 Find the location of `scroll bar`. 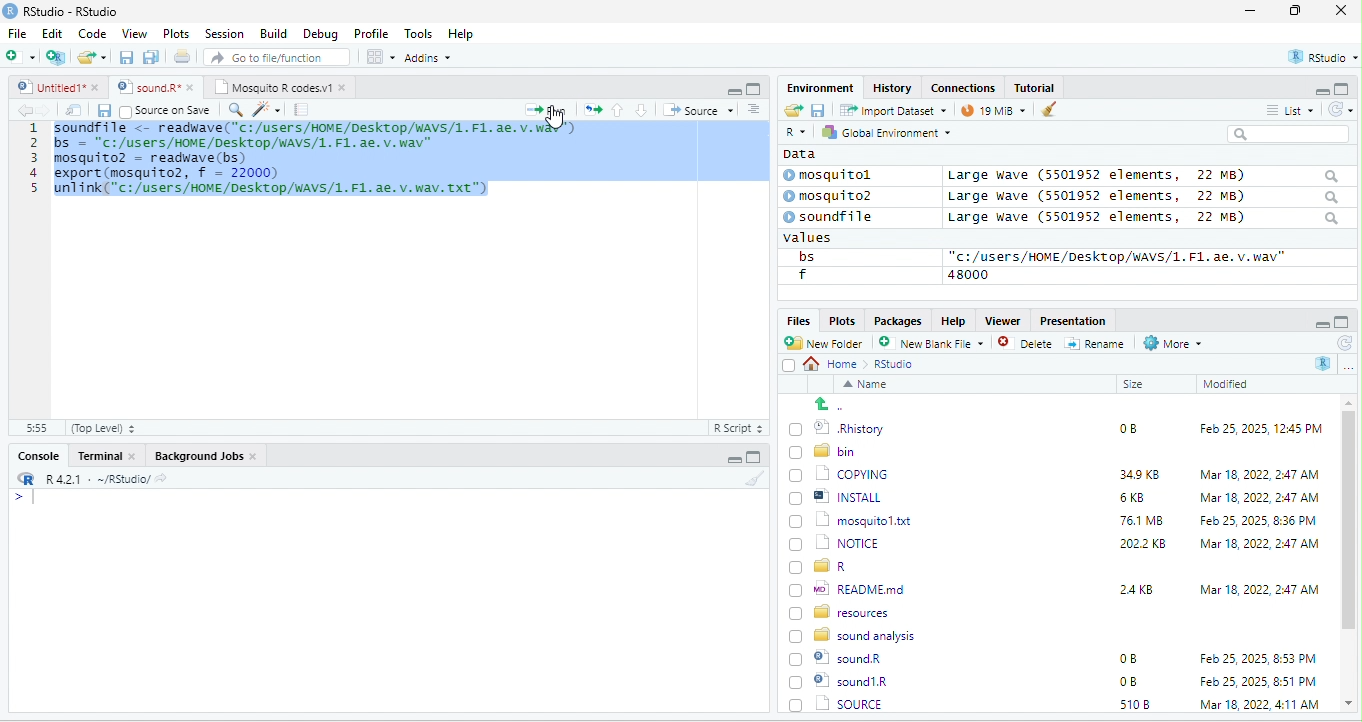

scroll bar is located at coordinates (759, 267).